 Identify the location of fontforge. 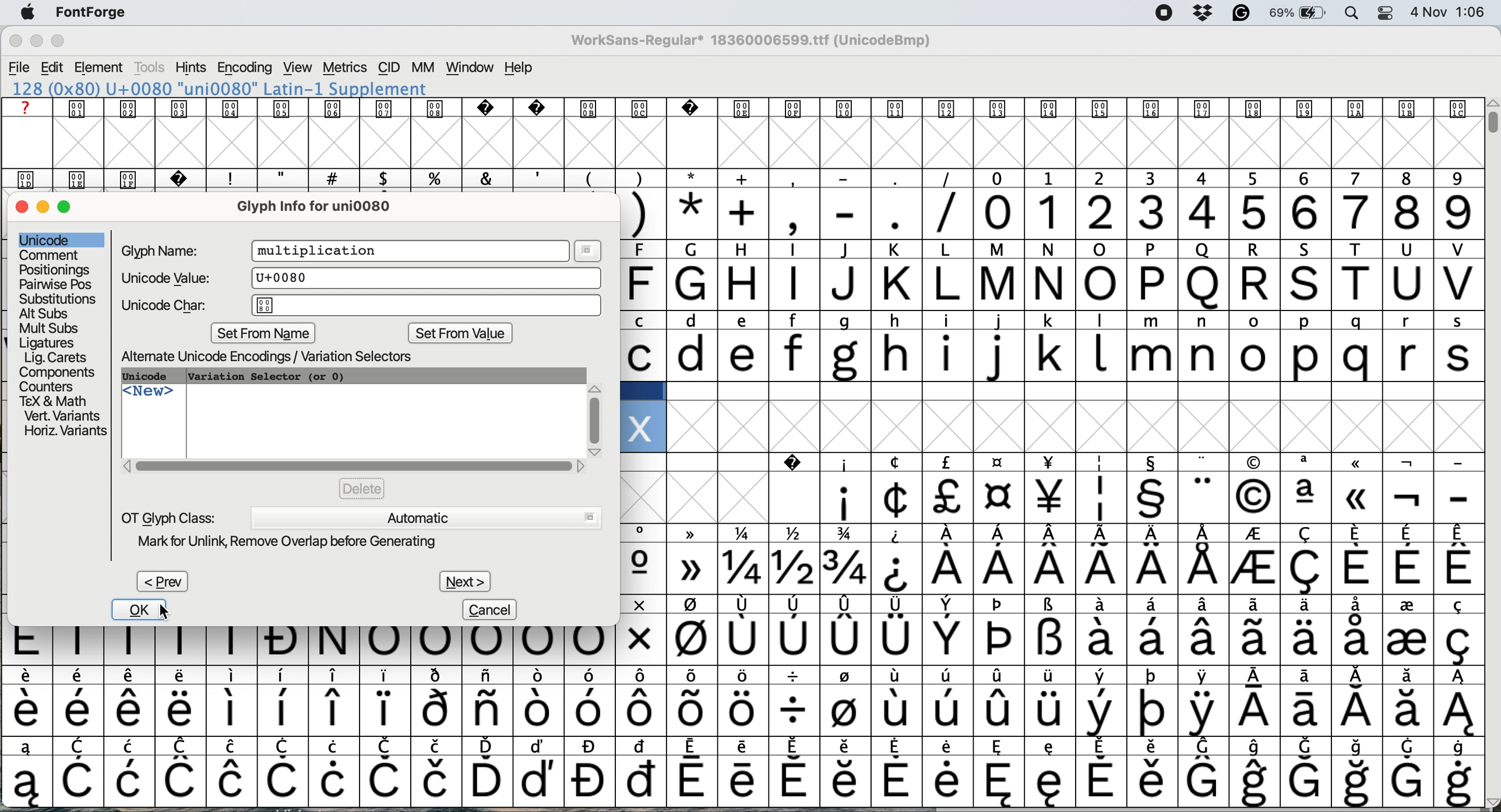
(96, 15).